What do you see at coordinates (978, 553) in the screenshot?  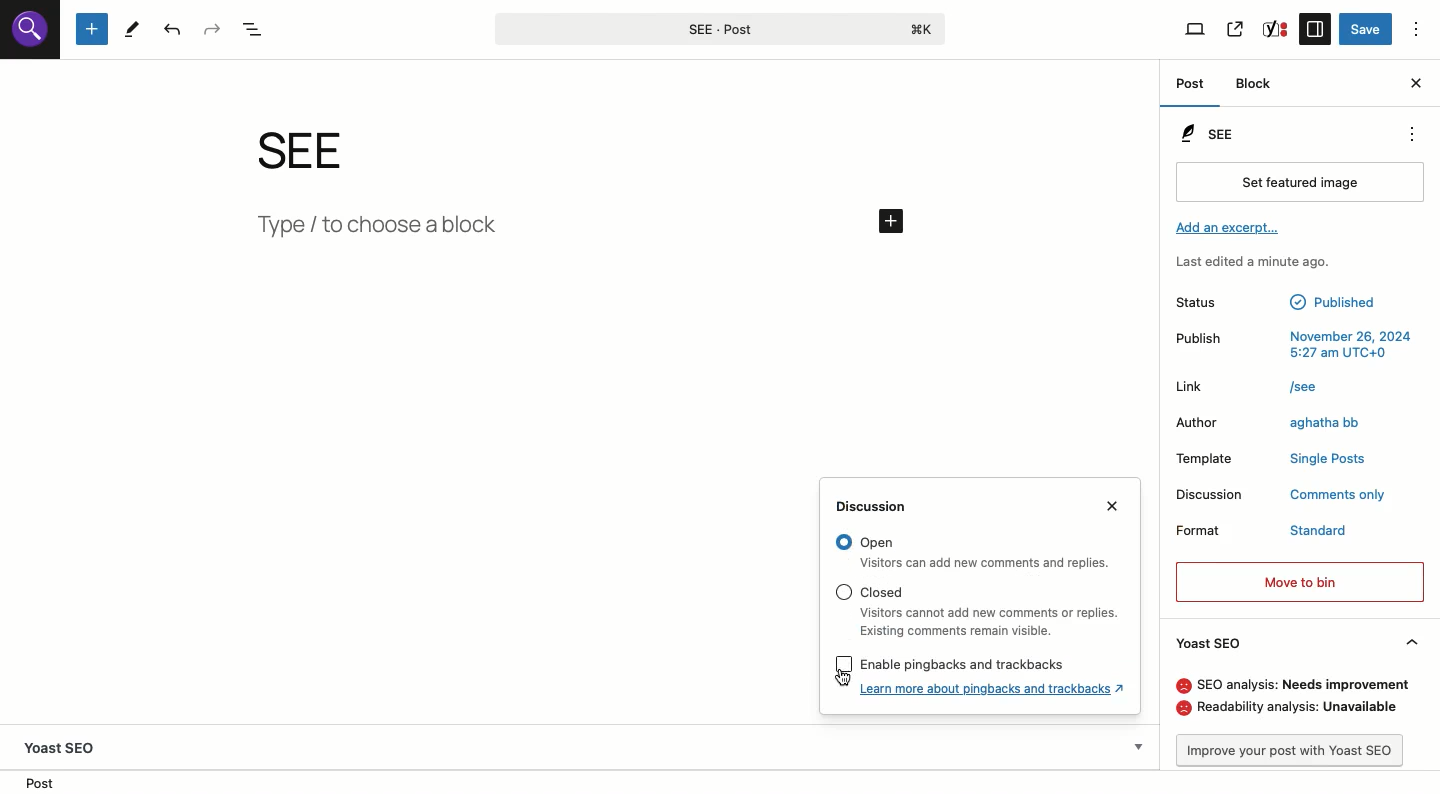 I see `Goren
Visitors can add new comments and replies.` at bounding box center [978, 553].